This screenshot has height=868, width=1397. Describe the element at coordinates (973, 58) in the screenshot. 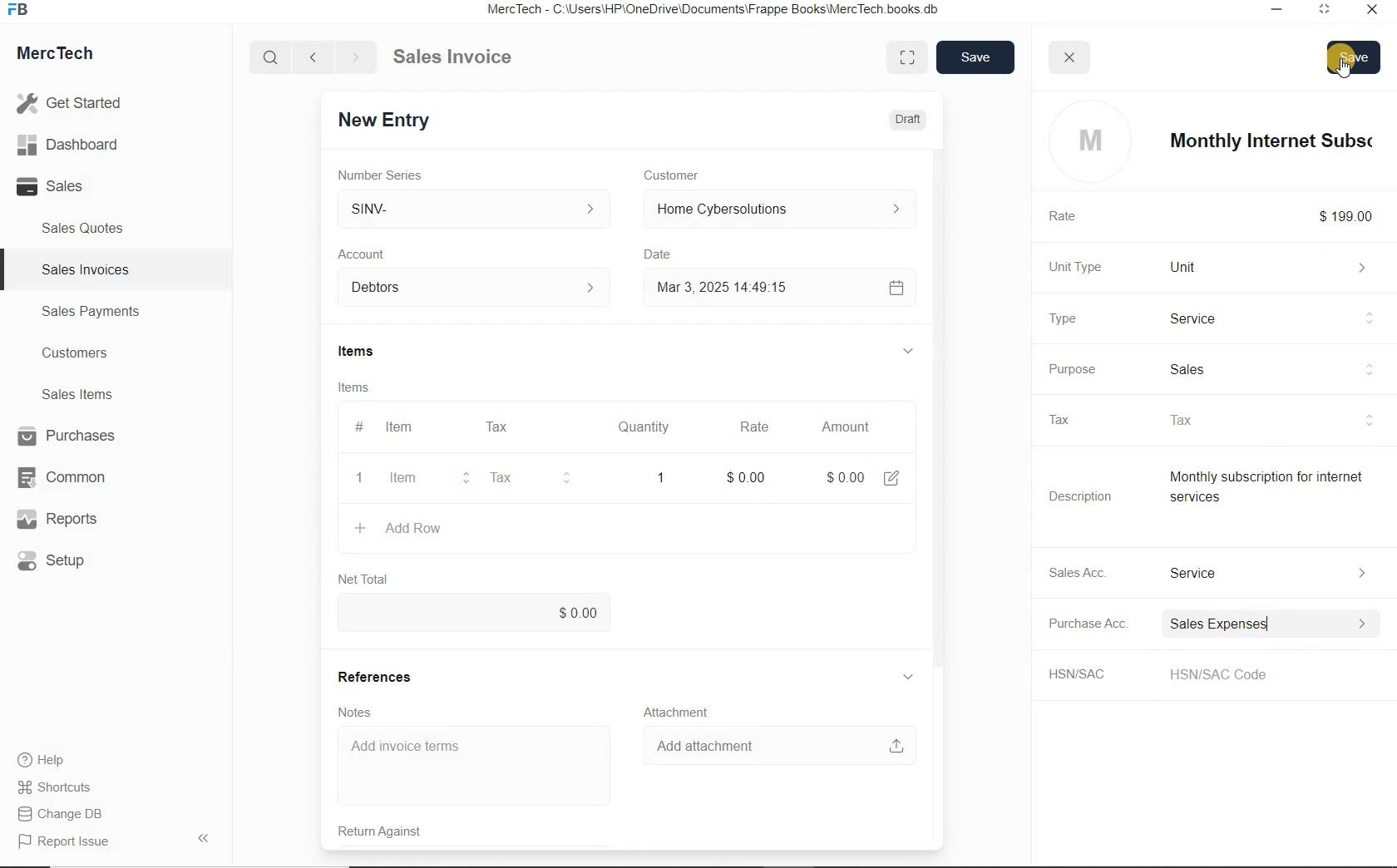

I see `save` at that location.